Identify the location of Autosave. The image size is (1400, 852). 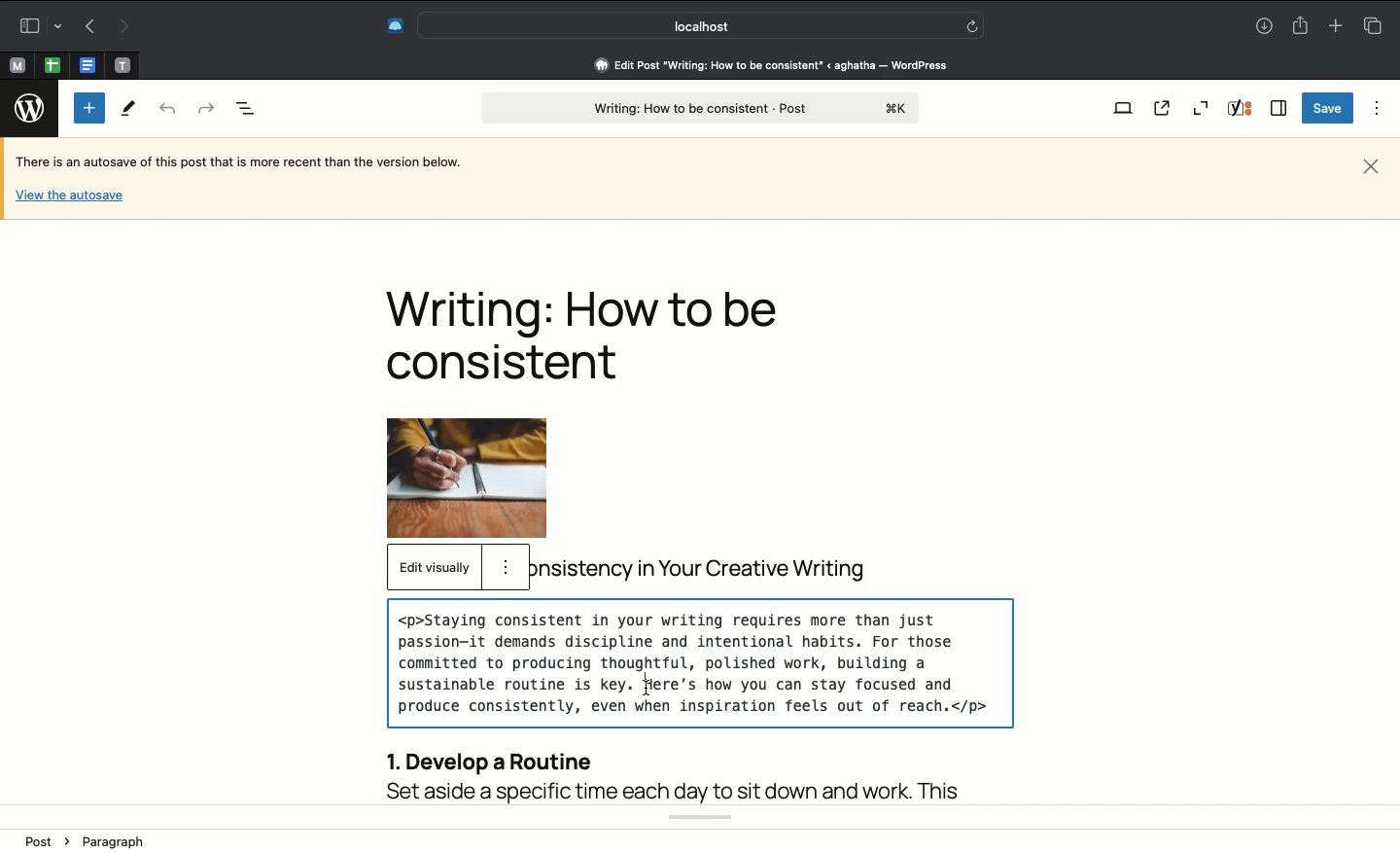
(254, 163).